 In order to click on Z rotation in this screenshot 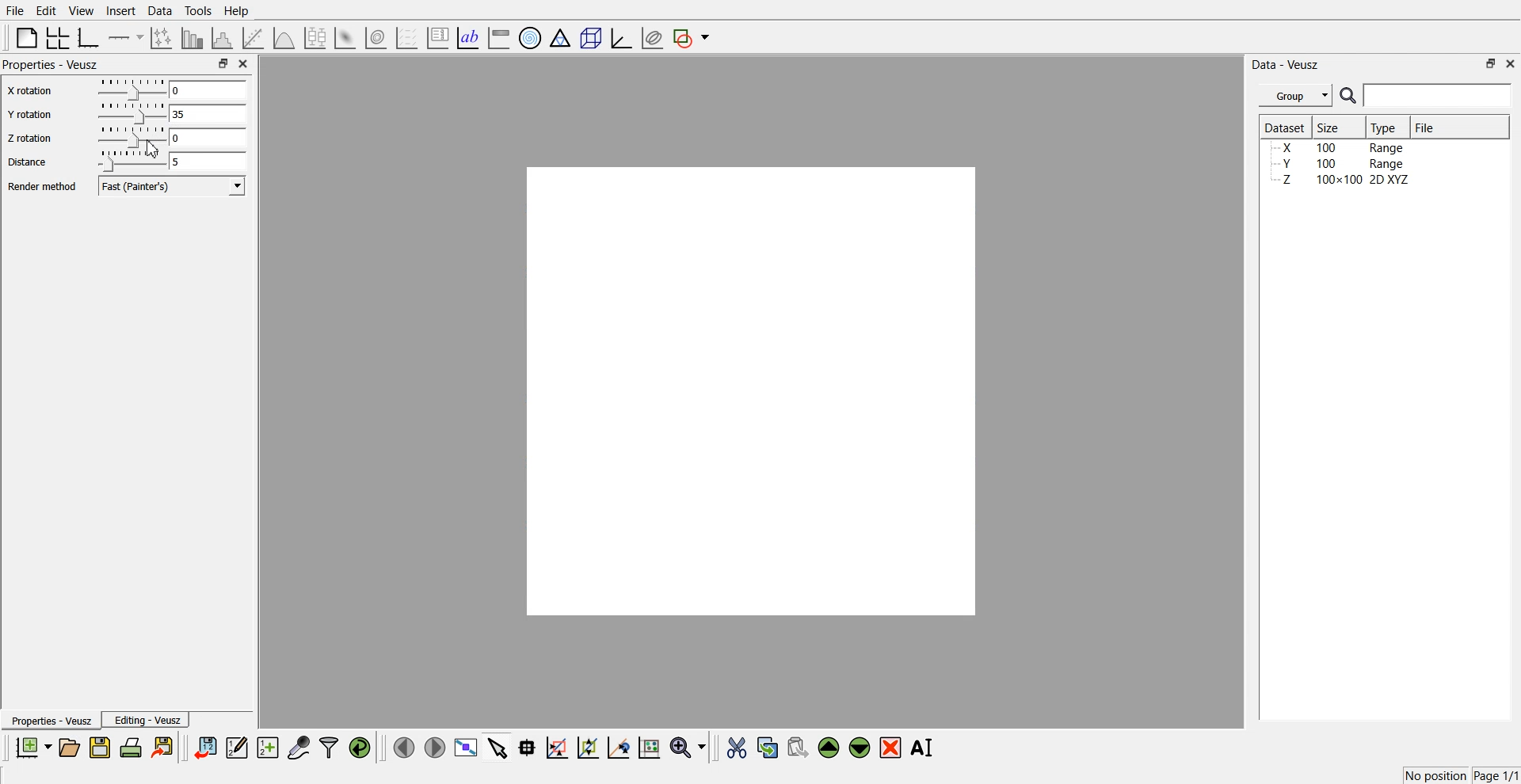, I will do `click(30, 138)`.